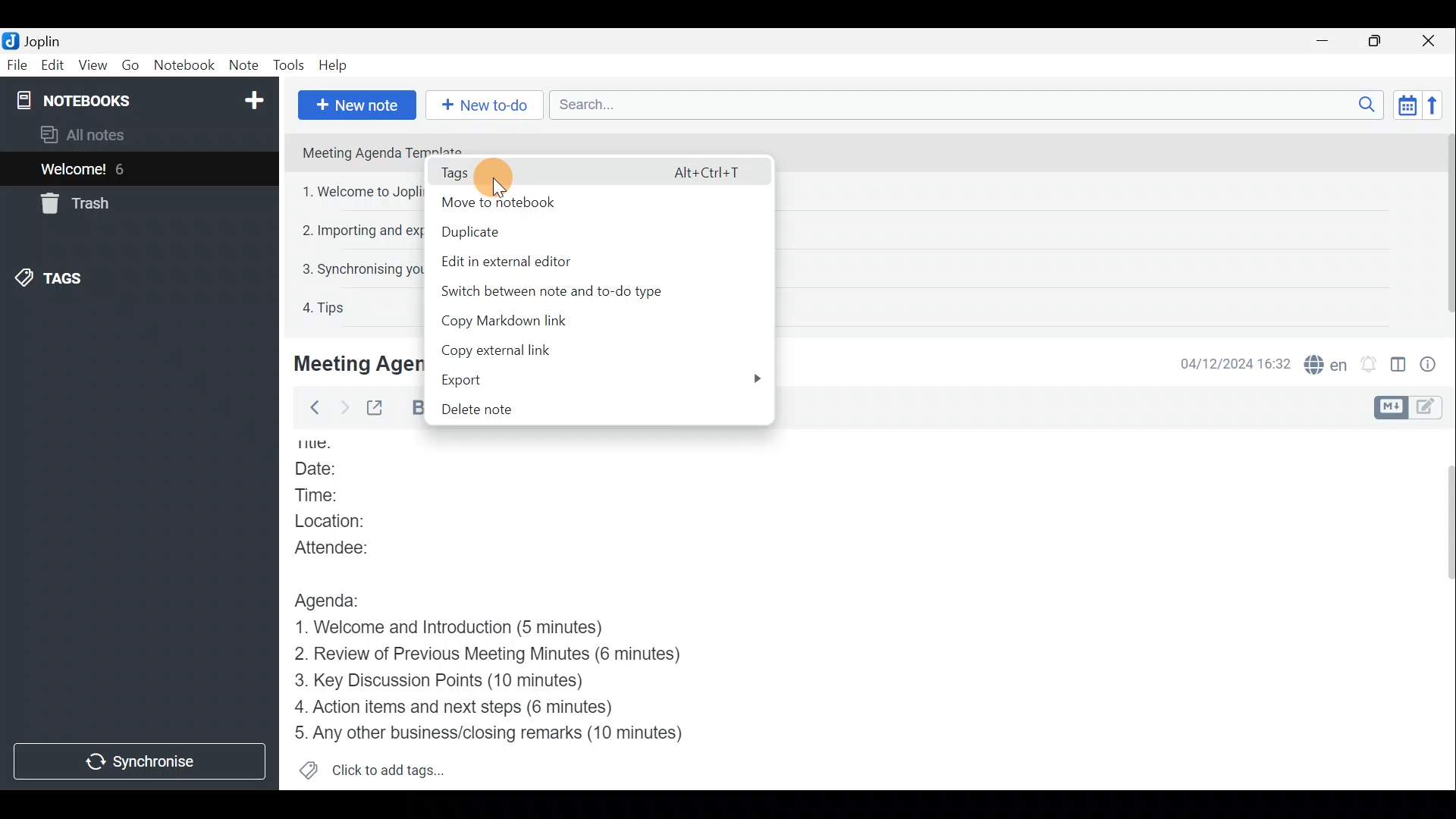 This screenshot has height=819, width=1456. Describe the element at coordinates (142, 99) in the screenshot. I see `Notebooks` at that location.